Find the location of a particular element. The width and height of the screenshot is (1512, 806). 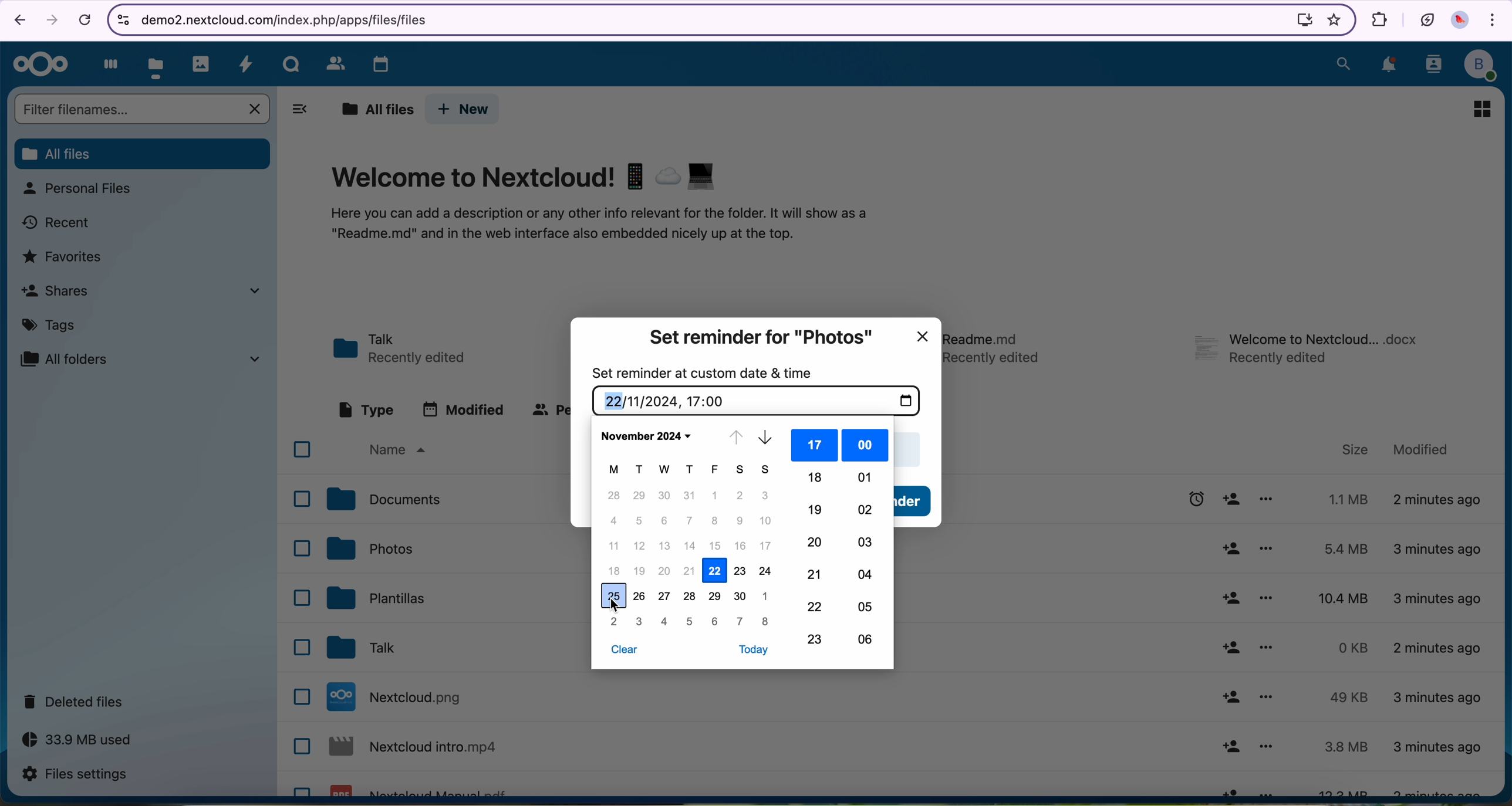

all files is located at coordinates (374, 109).